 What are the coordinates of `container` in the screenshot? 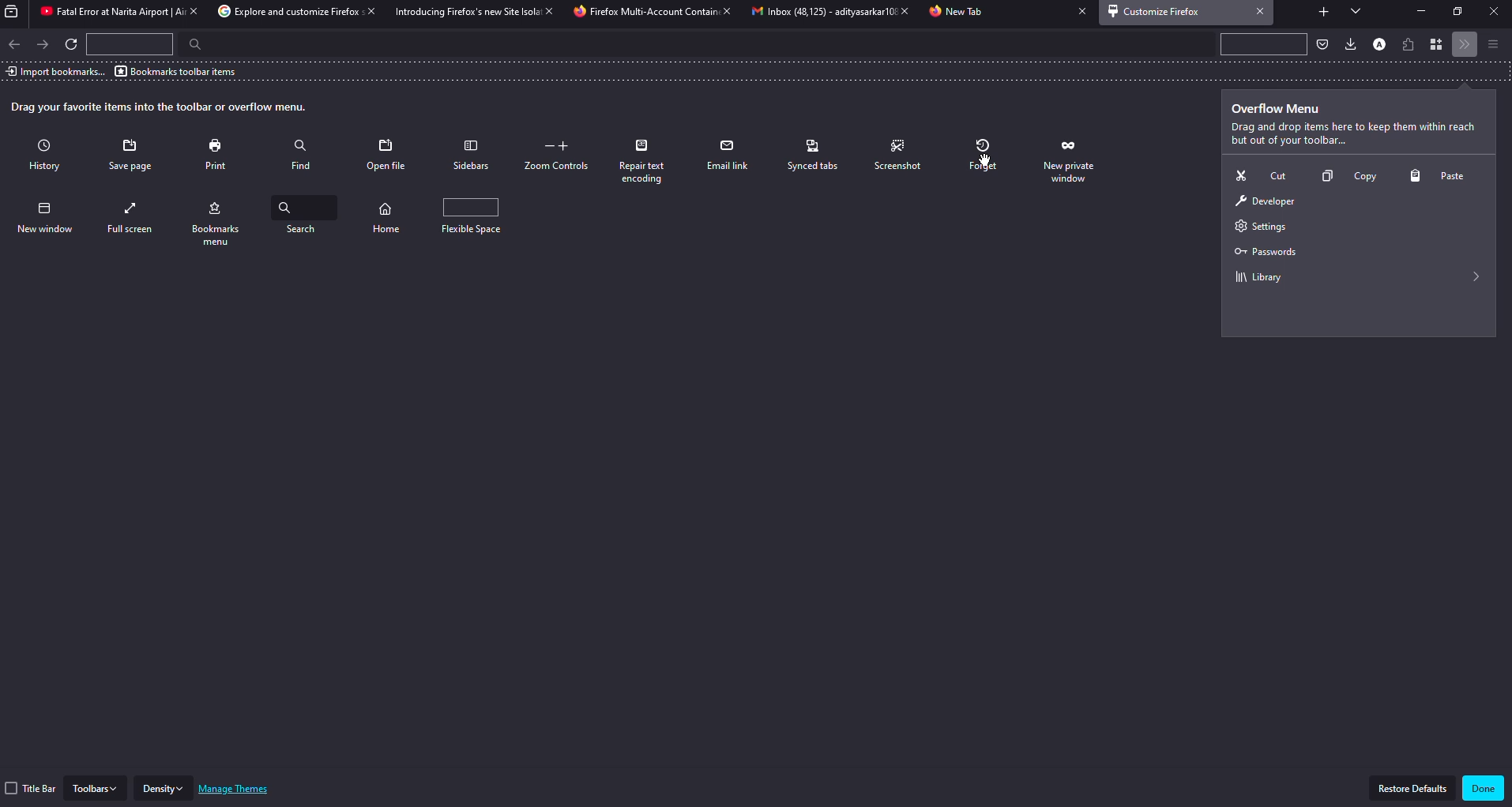 It's located at (1439, 45).